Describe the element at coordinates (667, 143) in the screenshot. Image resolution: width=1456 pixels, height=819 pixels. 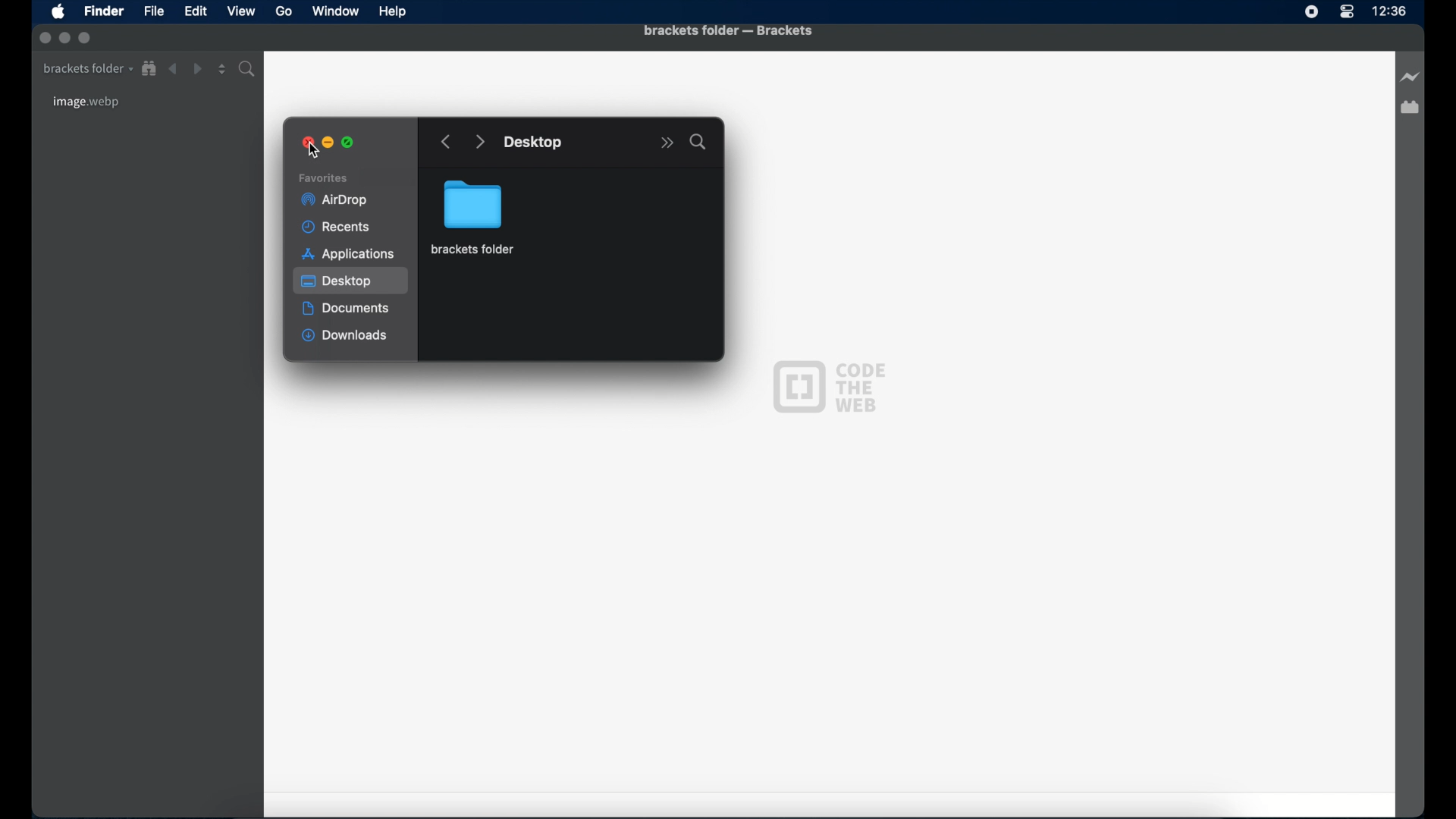
I see `more options` at that location.